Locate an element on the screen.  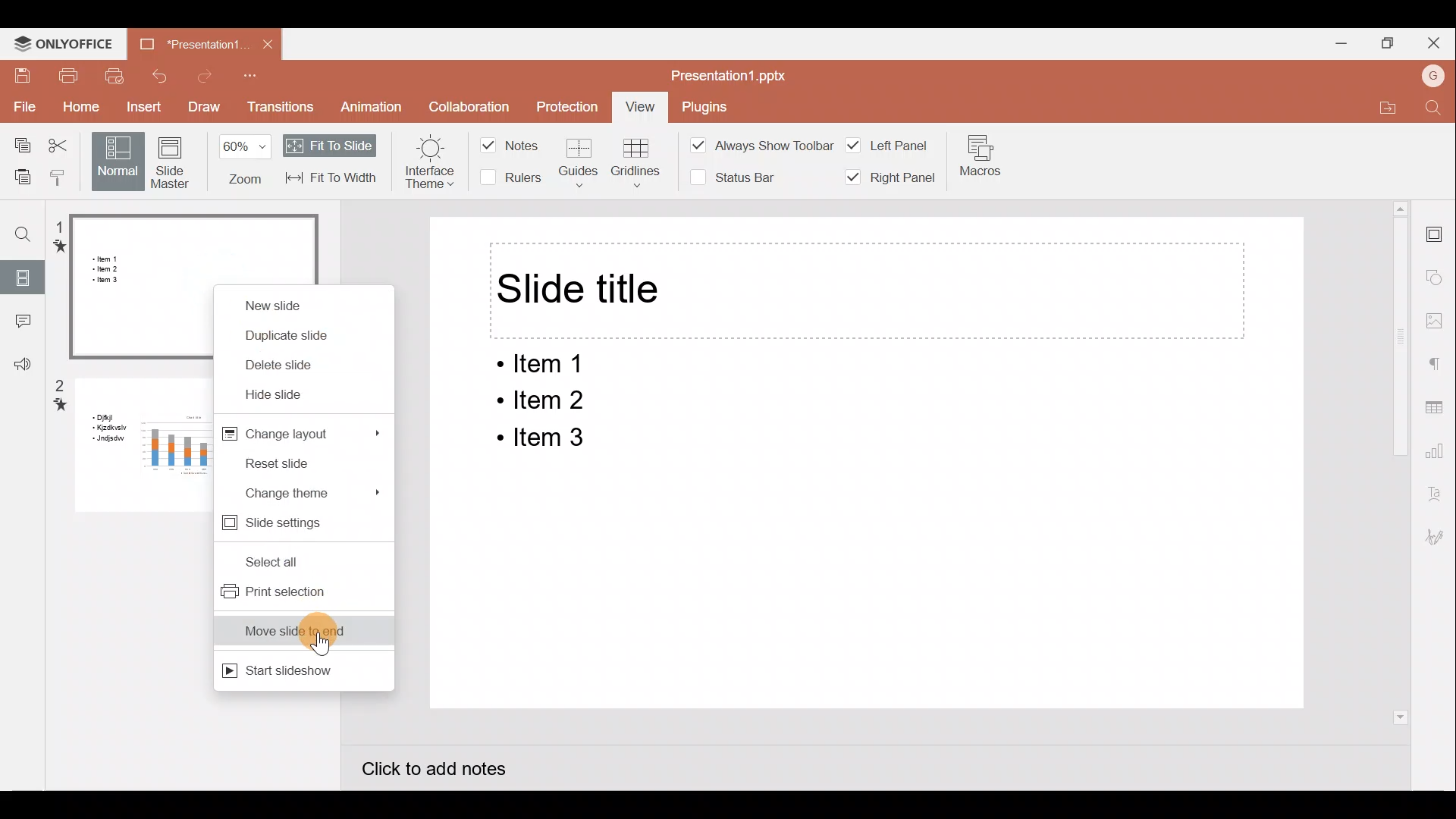
Customize quick access toolbar is located at coordinates (252, 77).